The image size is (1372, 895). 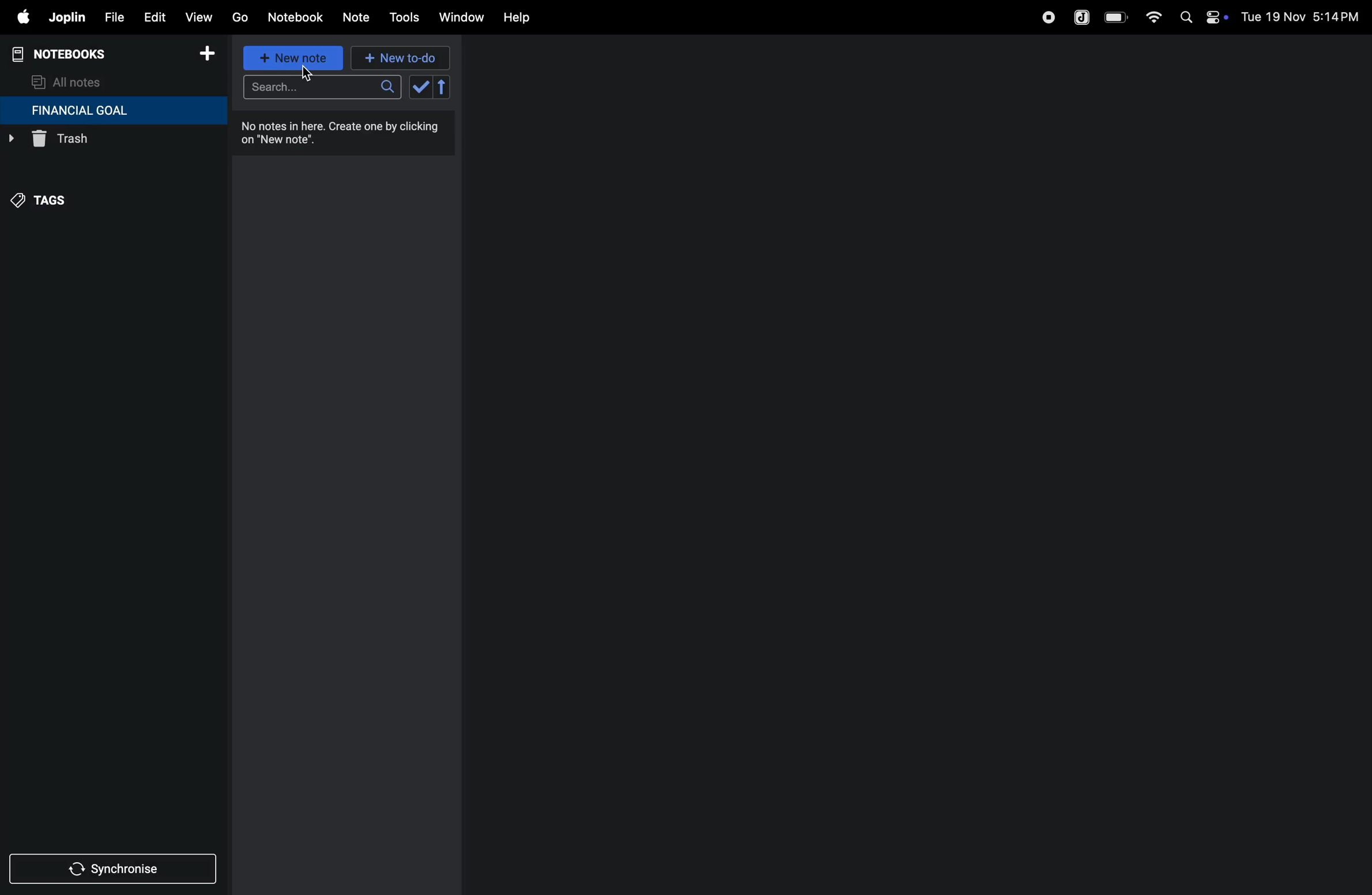 What do you see at coordinates (308, 76) in the screenshot?
I see `cursor` at bounding box center [308, 76].